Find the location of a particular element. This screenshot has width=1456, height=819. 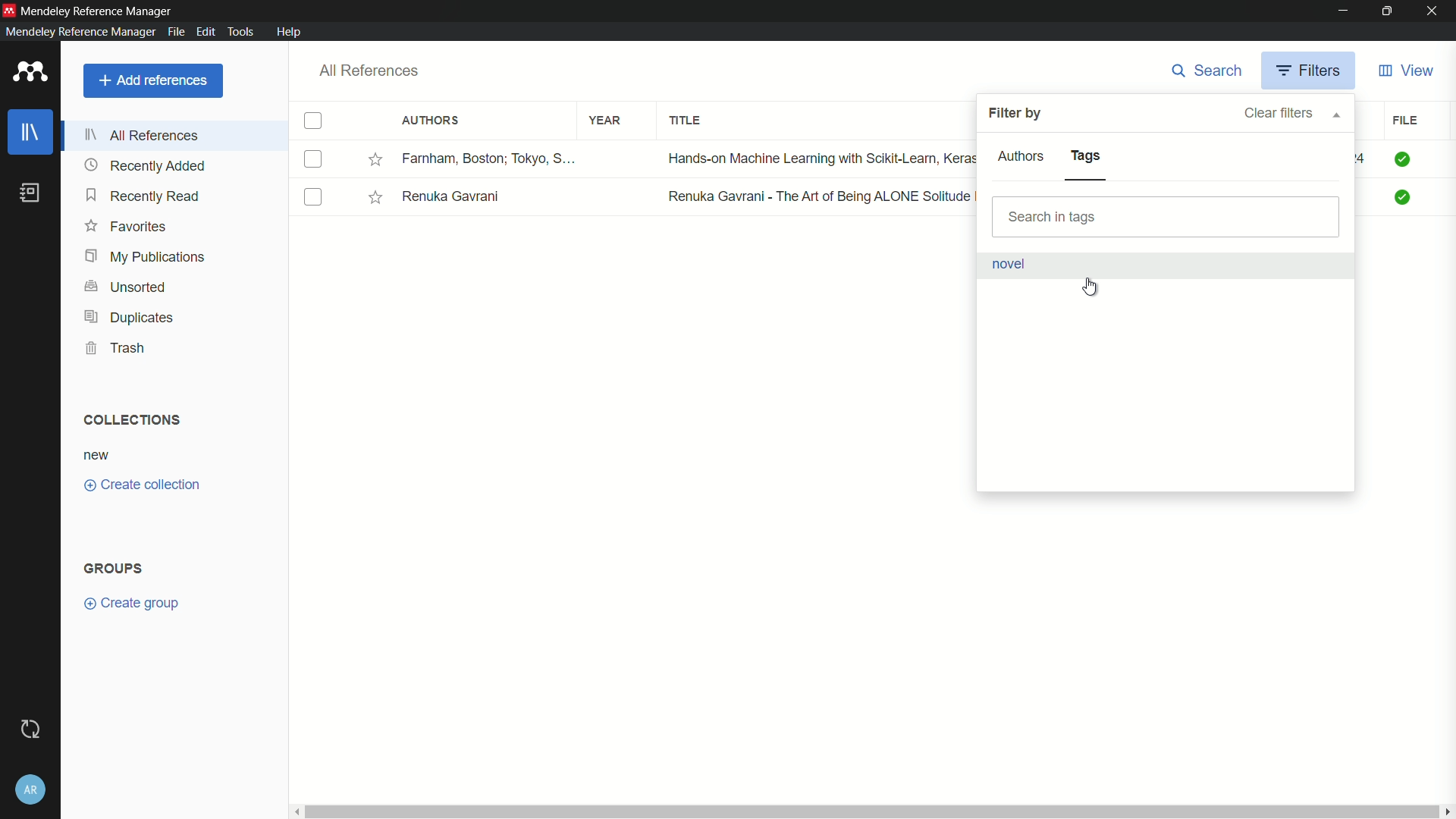

help menu is located at coordinates (290, 32).